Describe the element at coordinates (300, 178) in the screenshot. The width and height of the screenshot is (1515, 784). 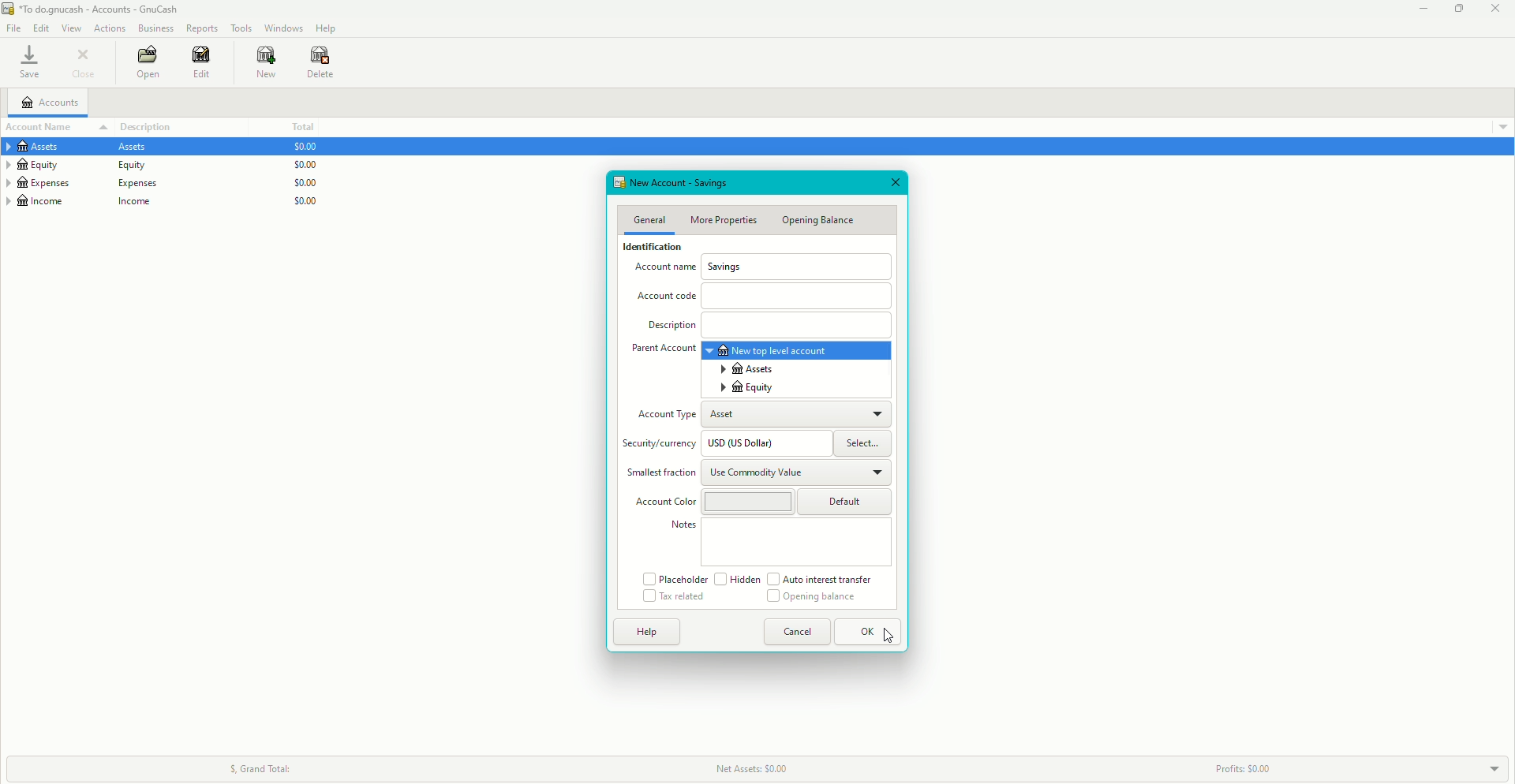
I see `$0` at that location.